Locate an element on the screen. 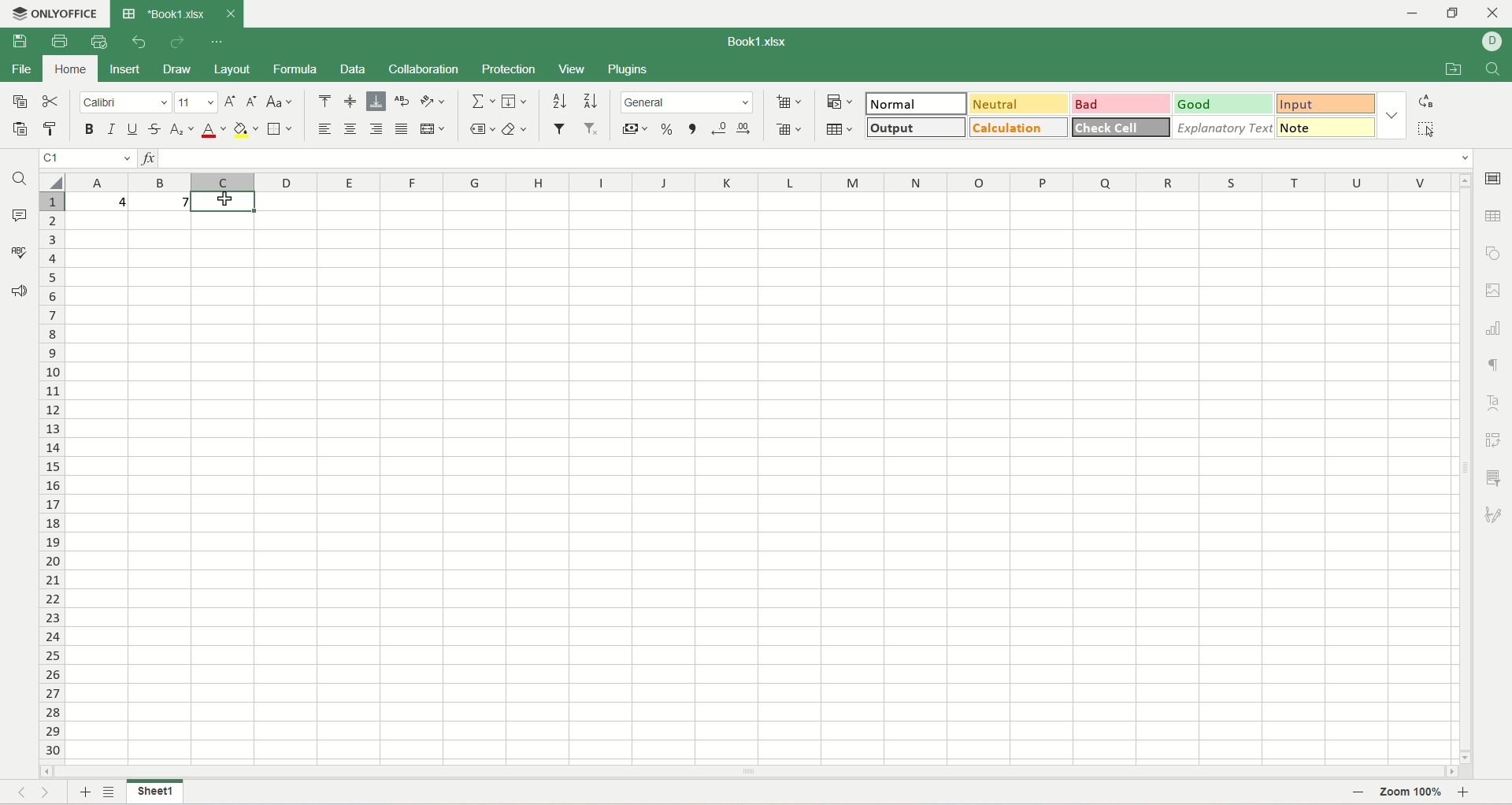 The width and height of the screenshot is (1512, 805). chart settiings is located at coordinates (1494, 325).